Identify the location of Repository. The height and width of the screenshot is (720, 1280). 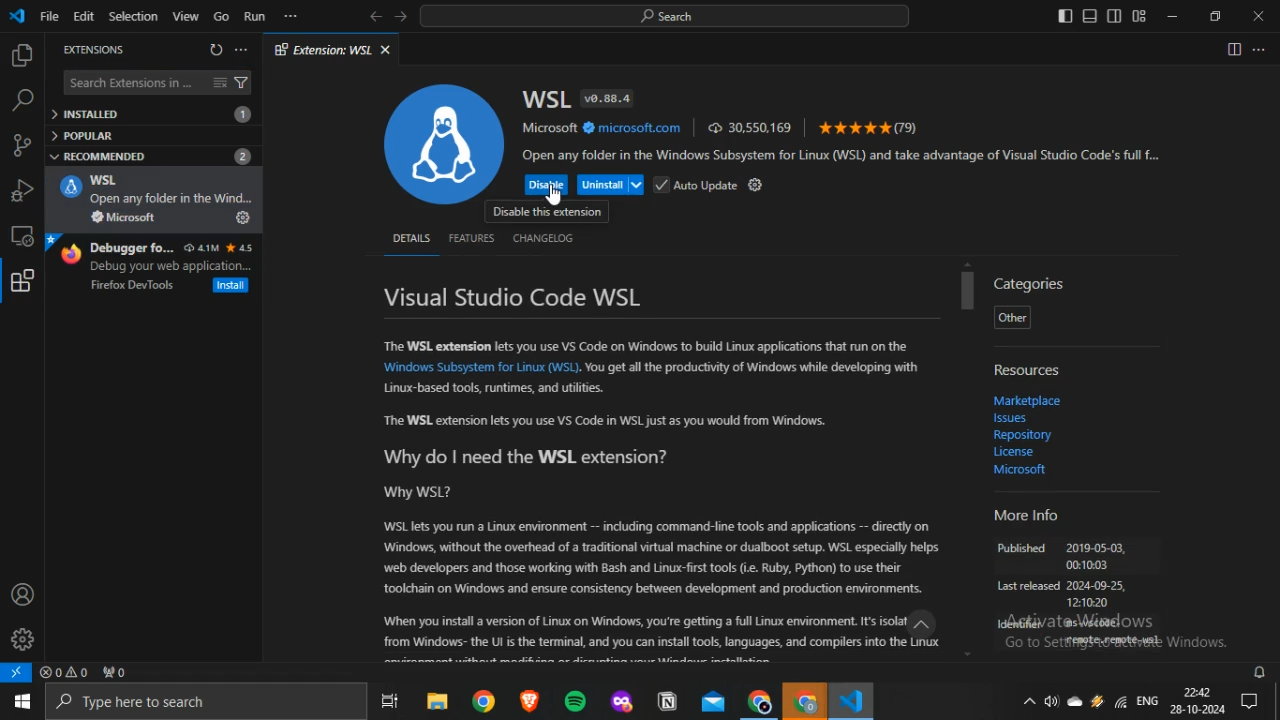
(1021, 436).